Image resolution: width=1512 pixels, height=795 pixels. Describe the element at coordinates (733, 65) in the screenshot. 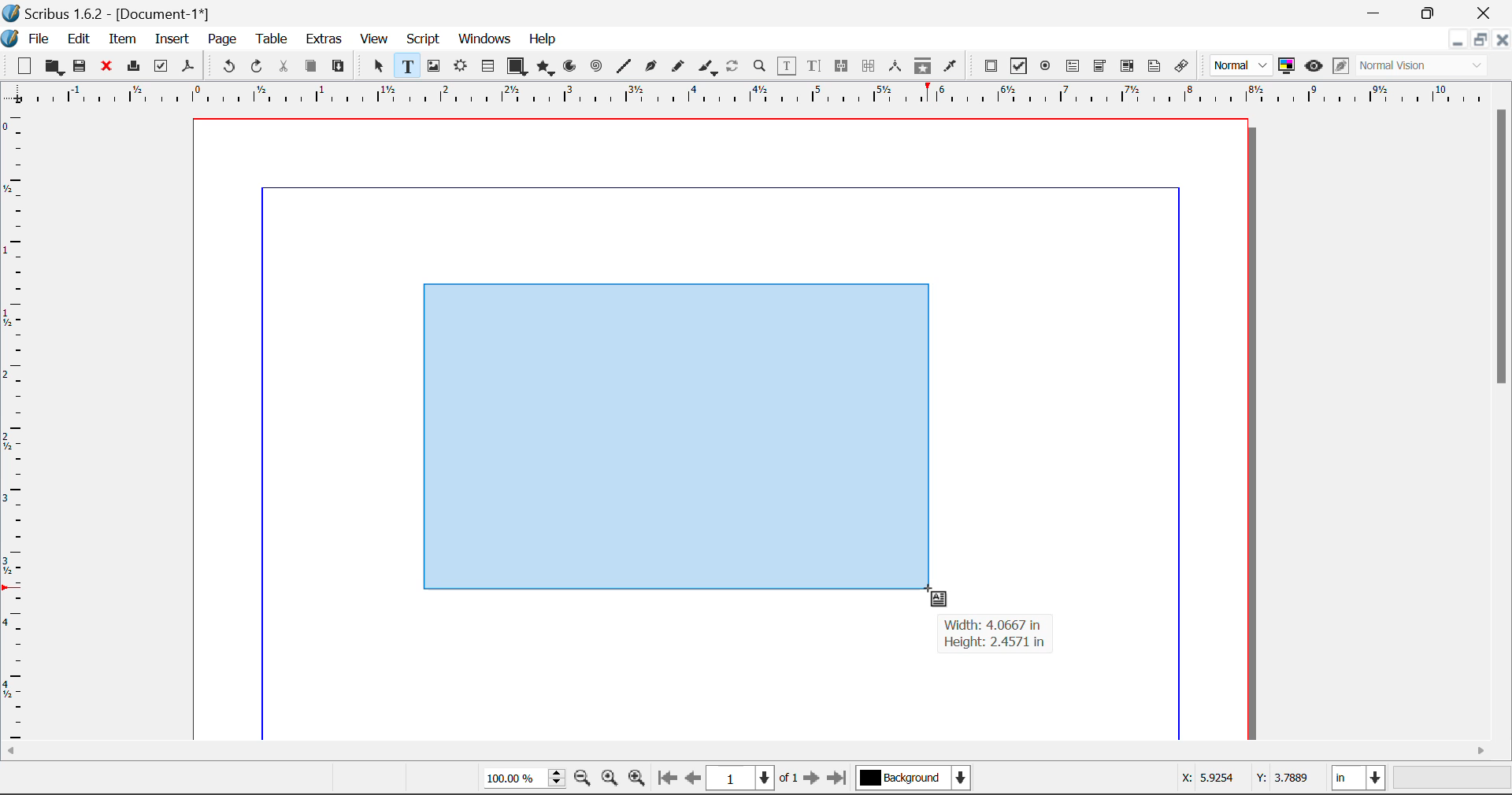

I see `Rotate` at that location.